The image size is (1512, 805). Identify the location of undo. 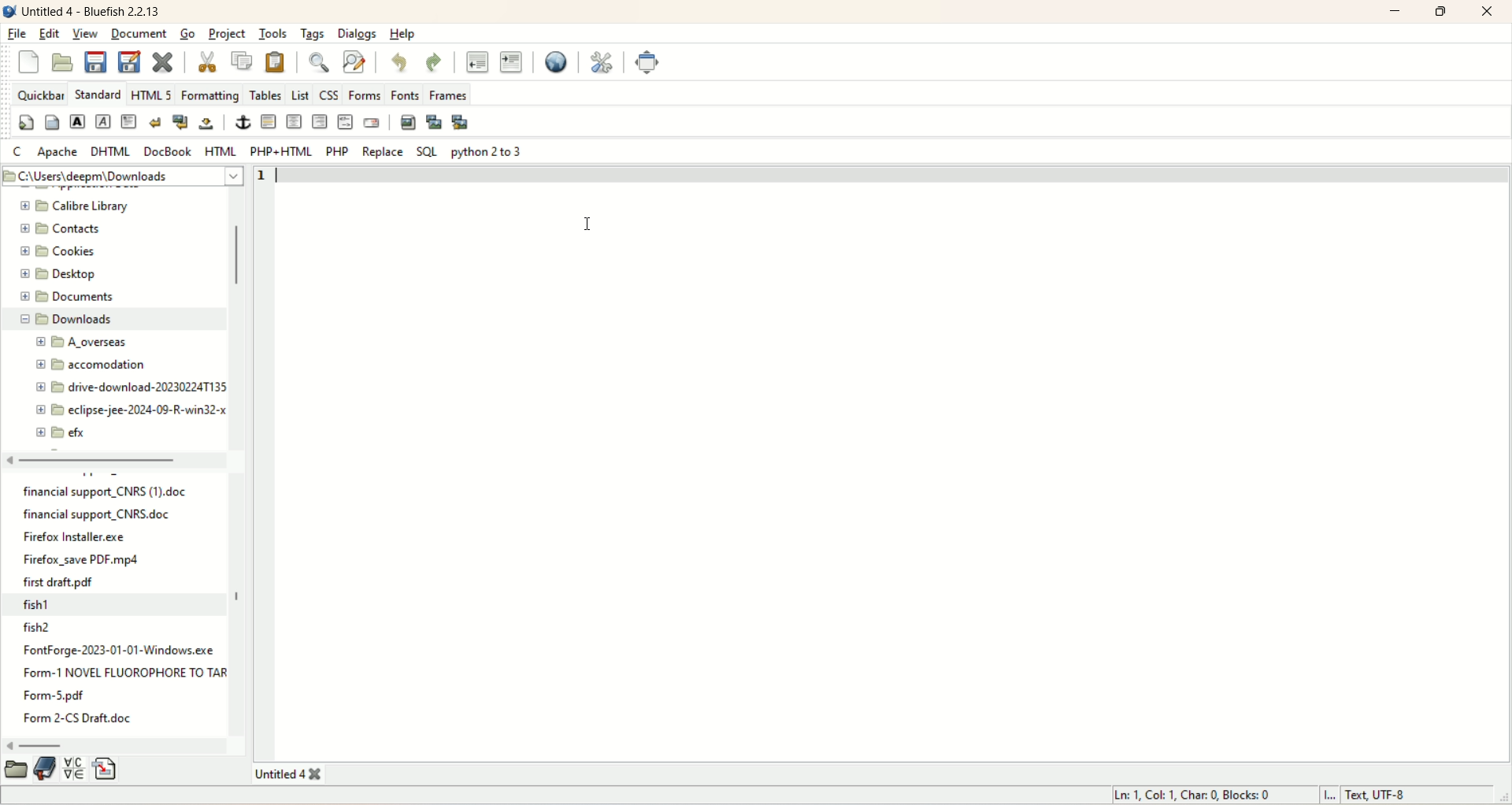
(401, 62).